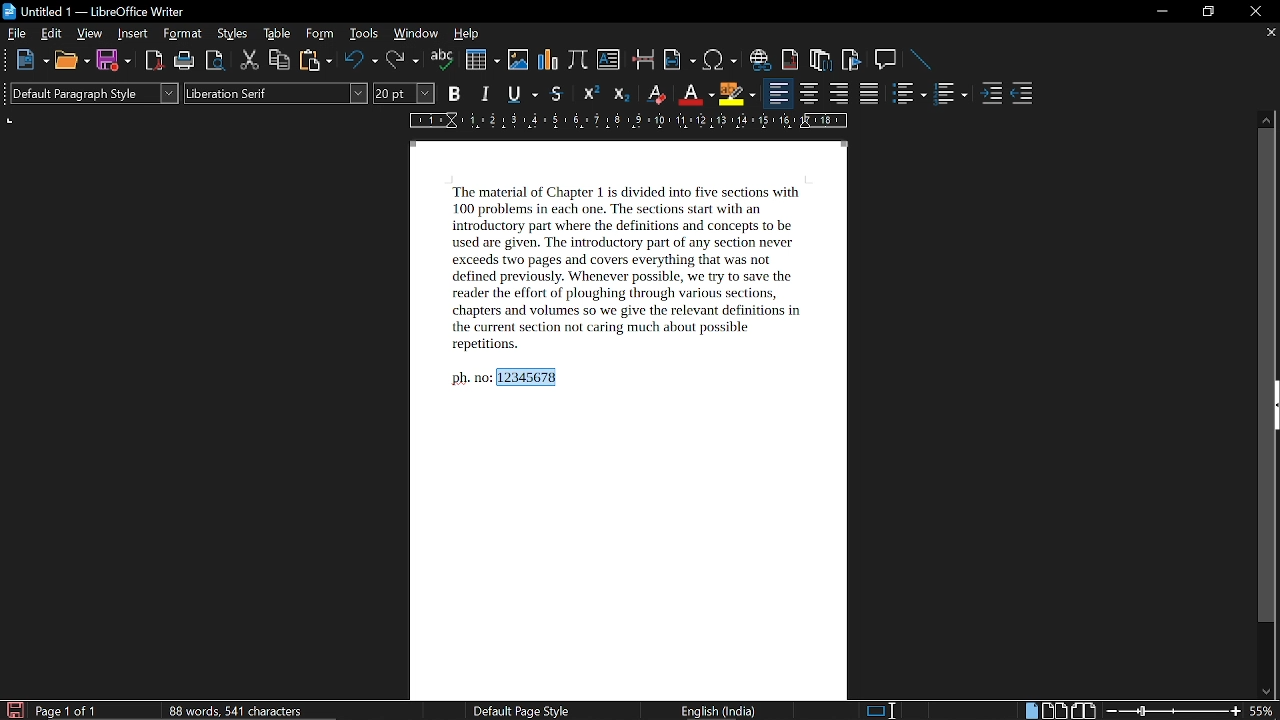 The height and width of the screenshot is (720, 1280). Describe the element at coordinates (872, 95) in the screenshot. I see `justified` at that location.